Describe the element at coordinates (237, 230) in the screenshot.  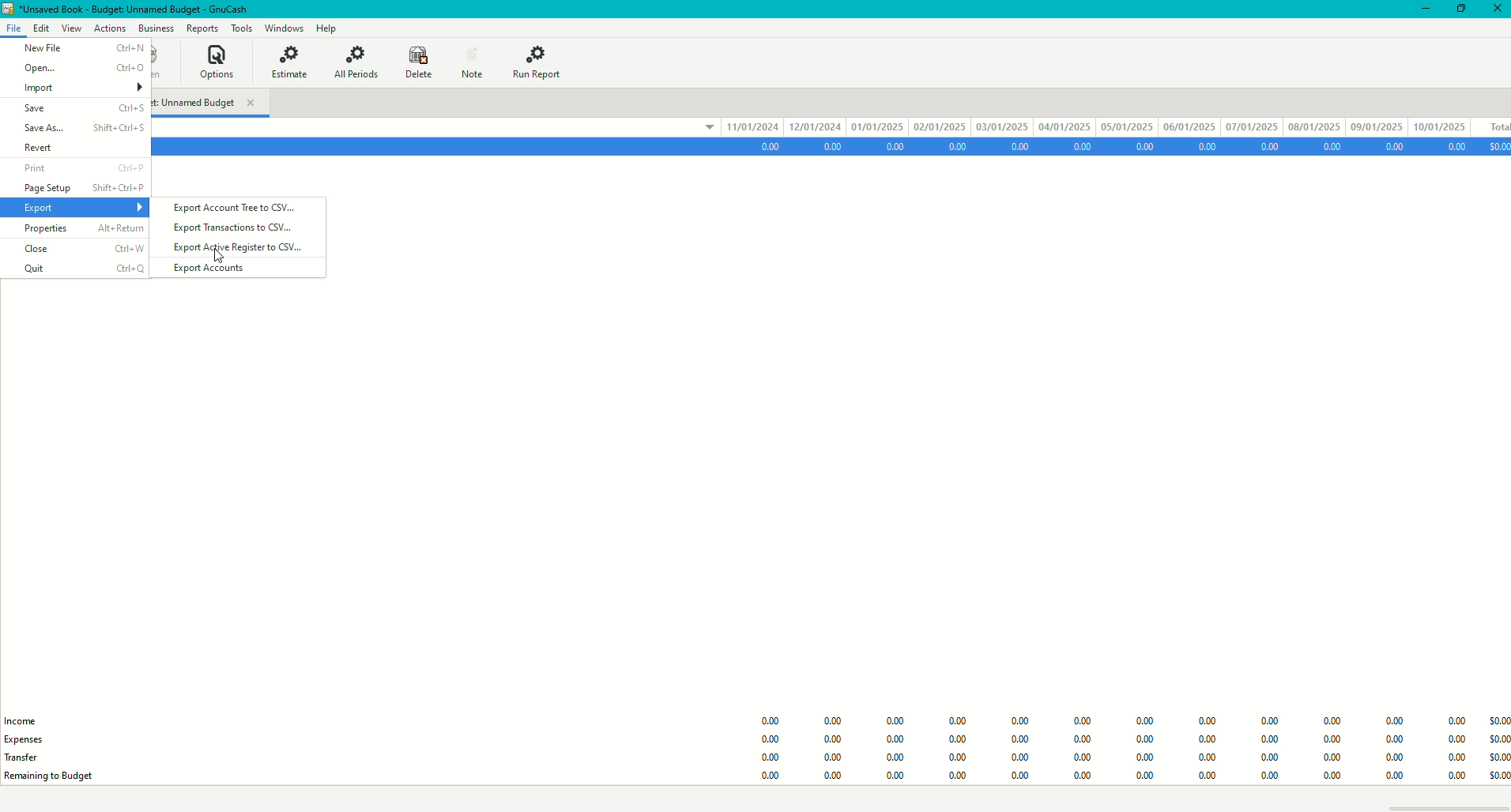
I see `Export Transactions to CSV` at that location.